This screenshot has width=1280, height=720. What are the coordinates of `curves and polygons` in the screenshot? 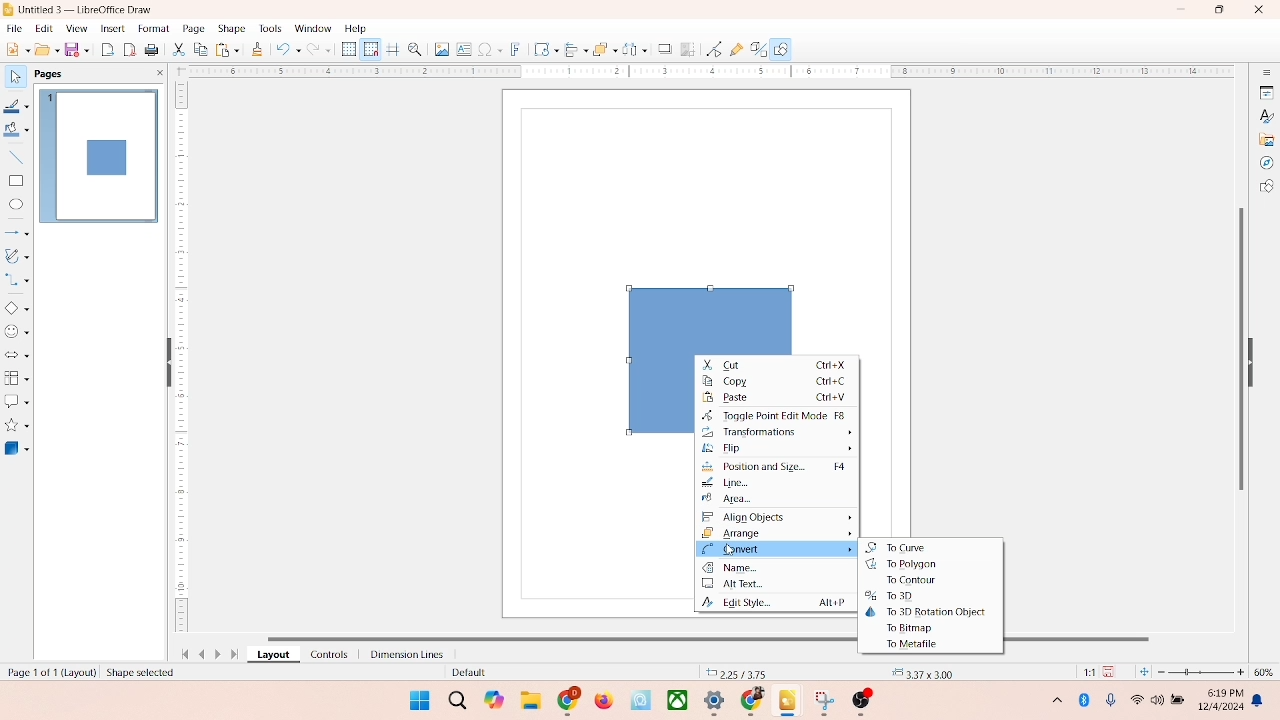 It's located at (18, 254).